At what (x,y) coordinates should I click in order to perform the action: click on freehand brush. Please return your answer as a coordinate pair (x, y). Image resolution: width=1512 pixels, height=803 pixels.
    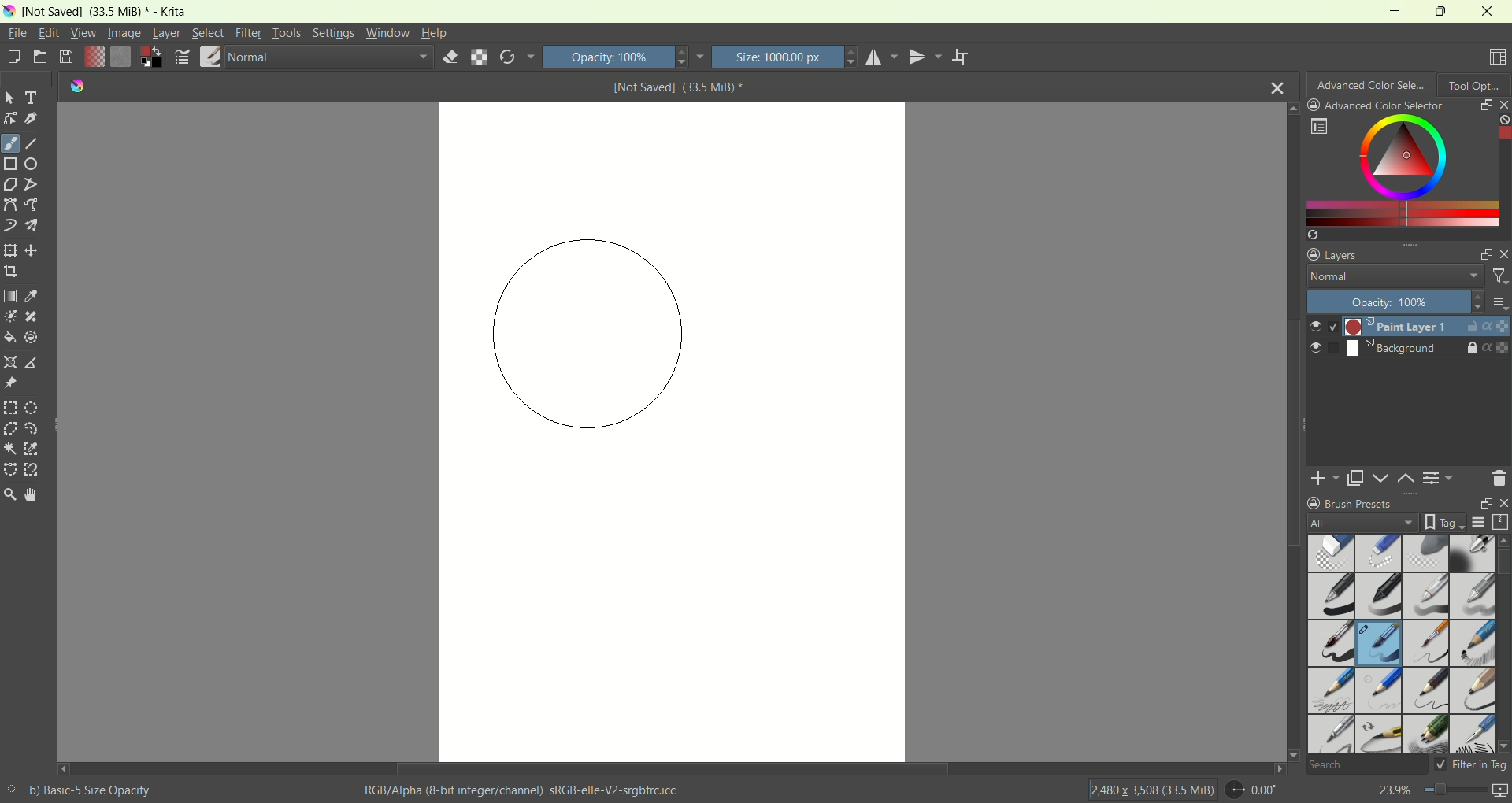
    Looking at the image, I should click on (10, 143).